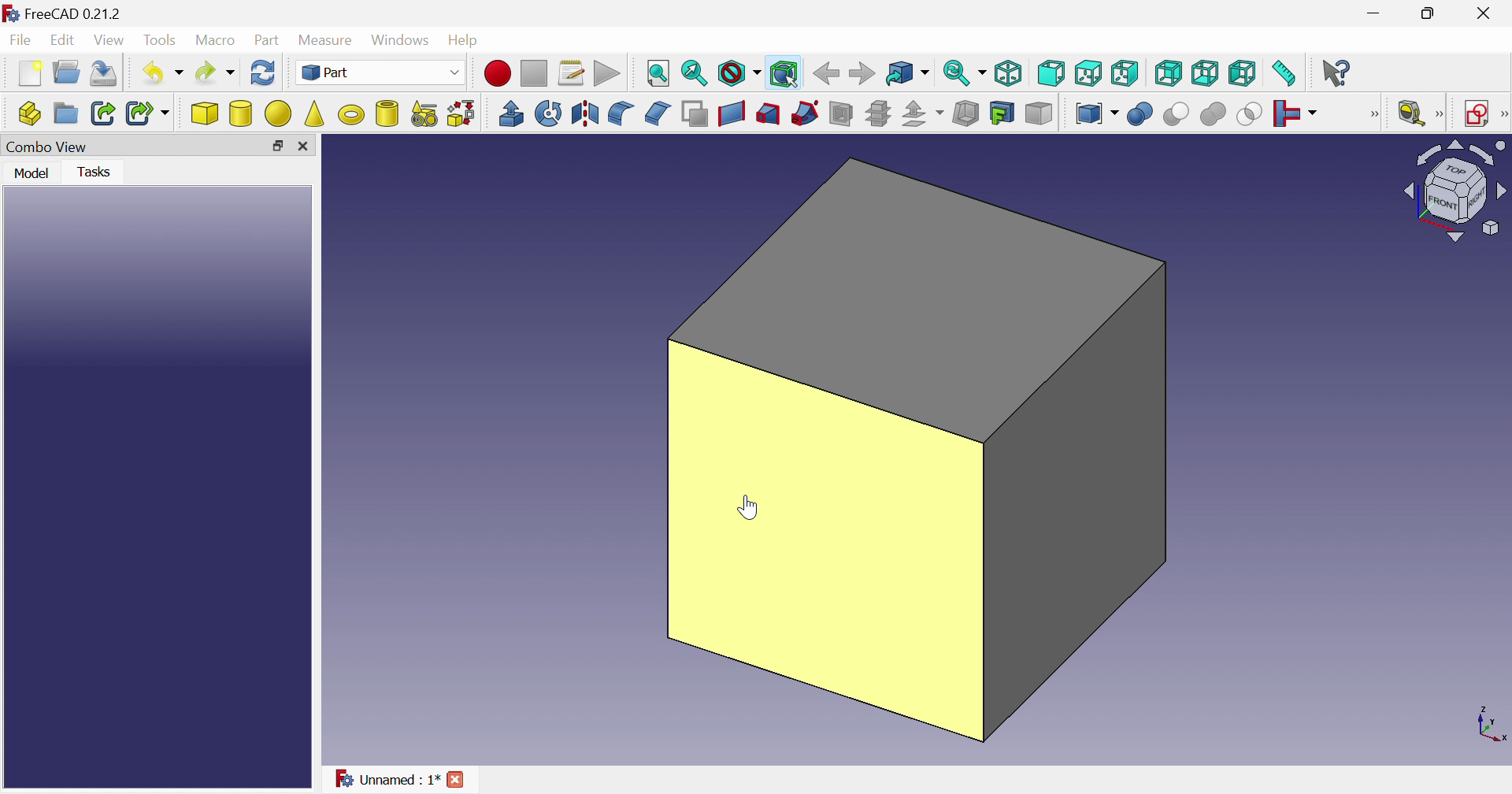 Image resolution: width=1512 pixels, height=794 pixels. I want to click on Measure liner, so click(1410, 114).